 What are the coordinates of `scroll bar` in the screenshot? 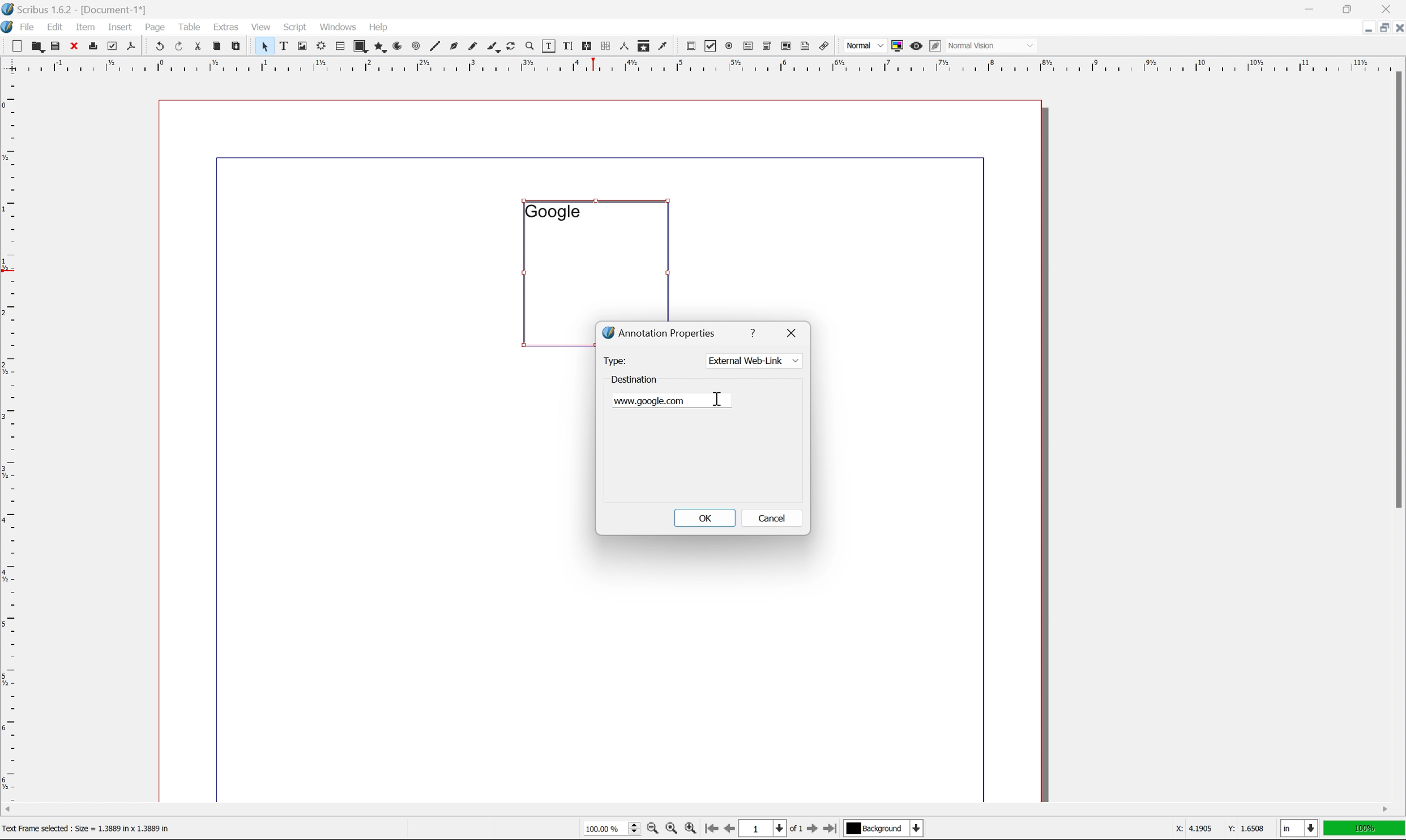 It's located at (696, 809).